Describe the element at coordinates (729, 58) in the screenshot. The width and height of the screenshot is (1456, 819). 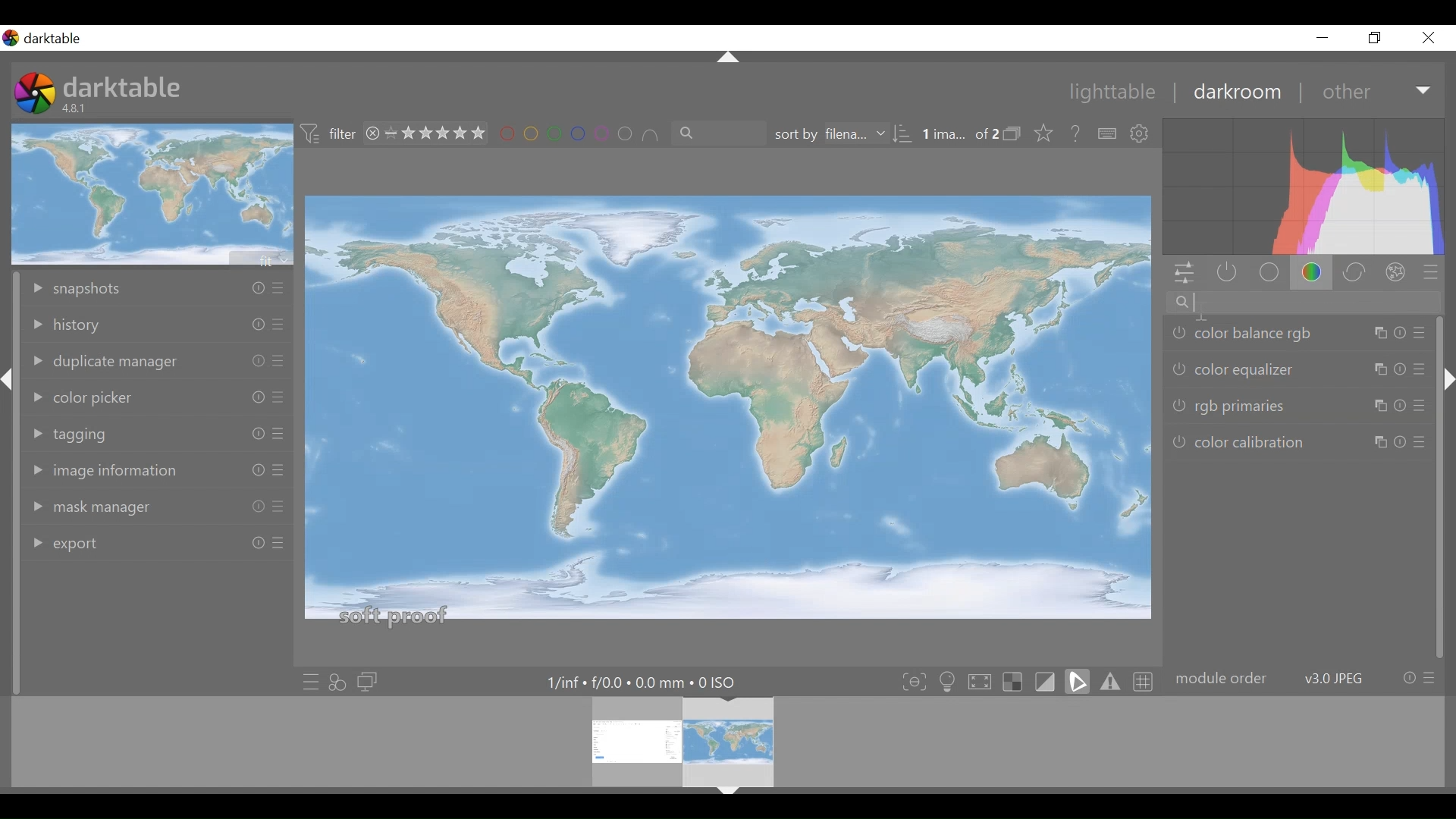
I see `` at that location.